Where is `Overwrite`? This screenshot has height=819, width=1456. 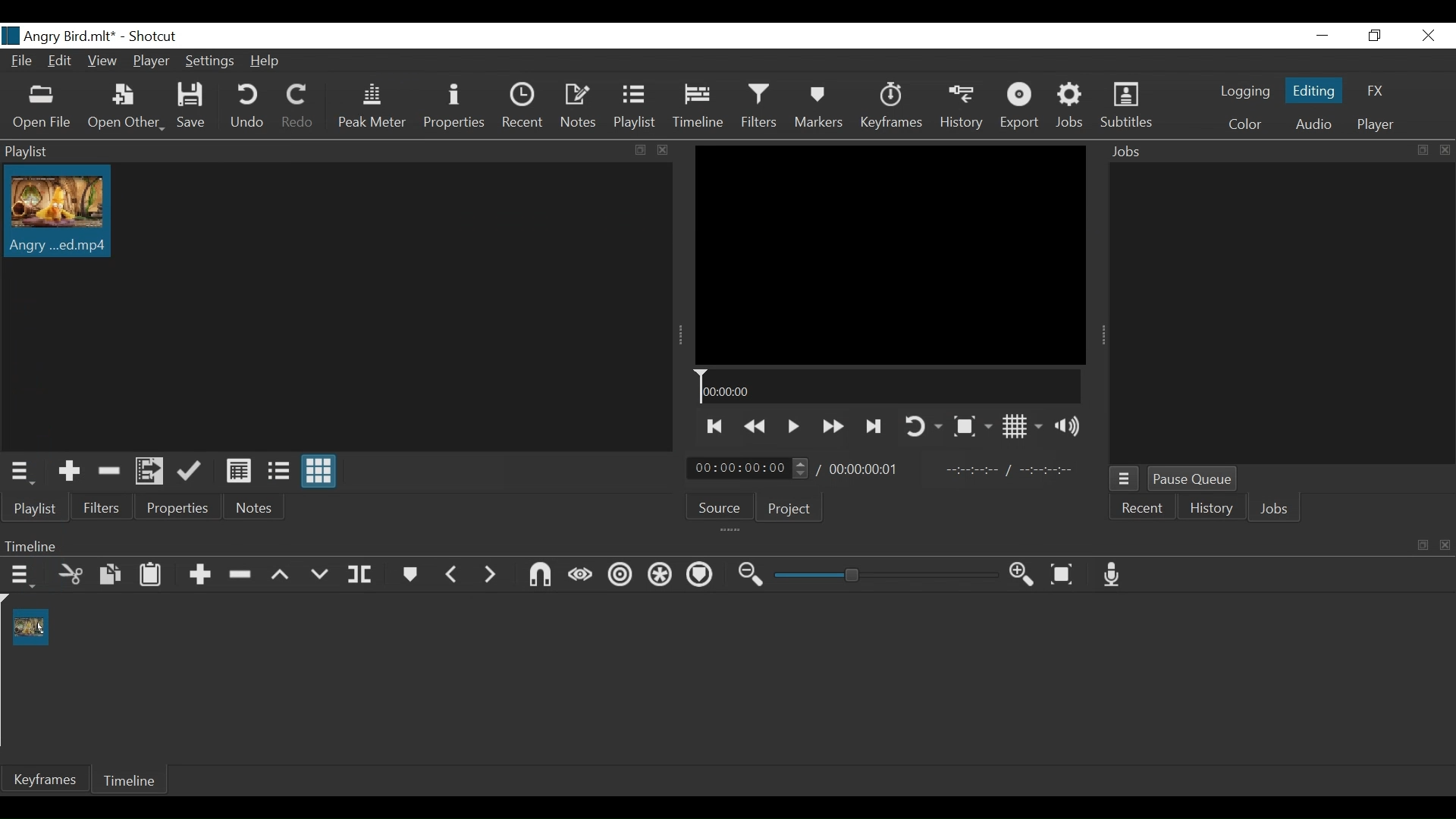
Overwrite is located at coordinates (318, 576).